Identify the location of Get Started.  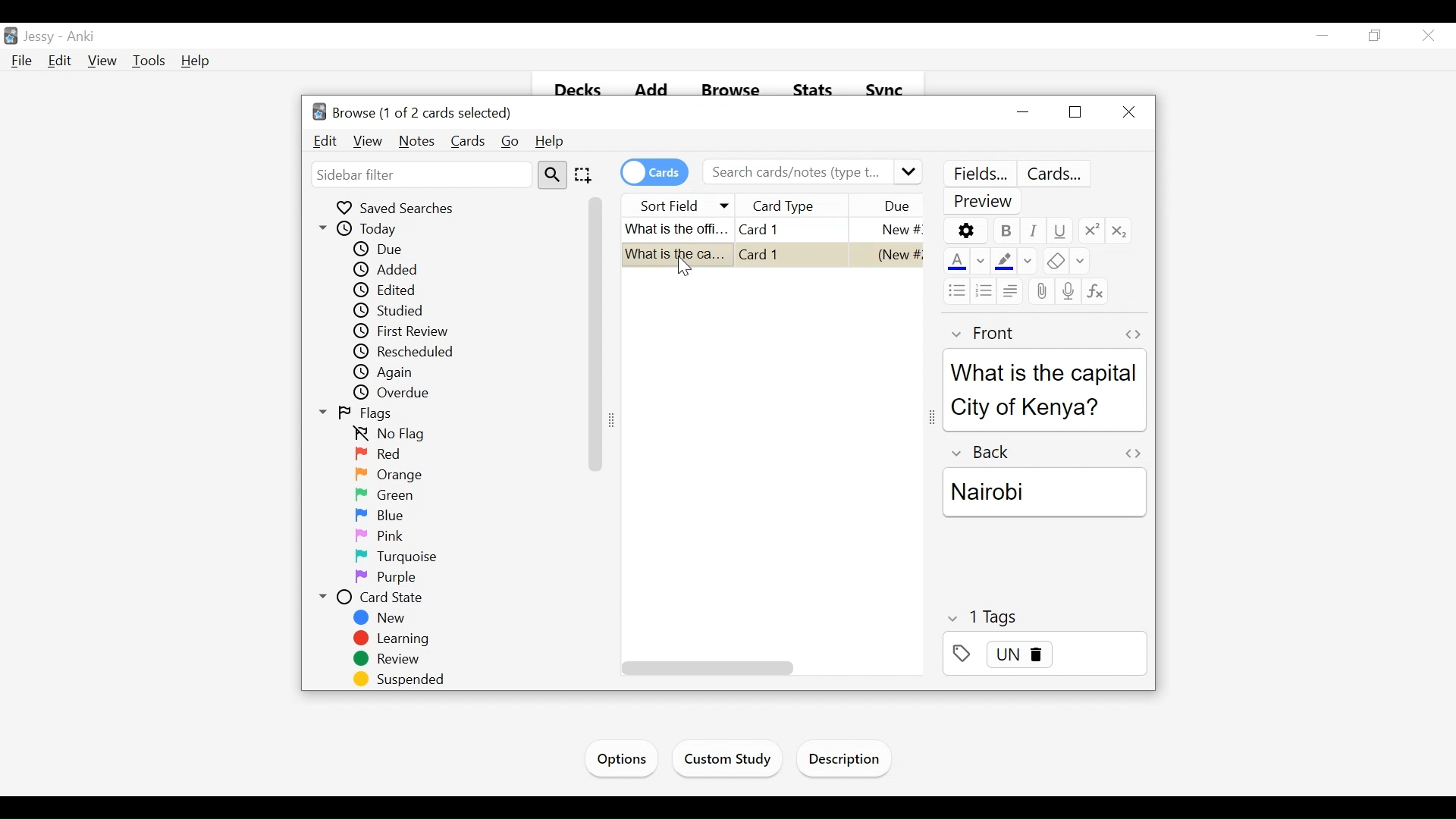
(626, 757).